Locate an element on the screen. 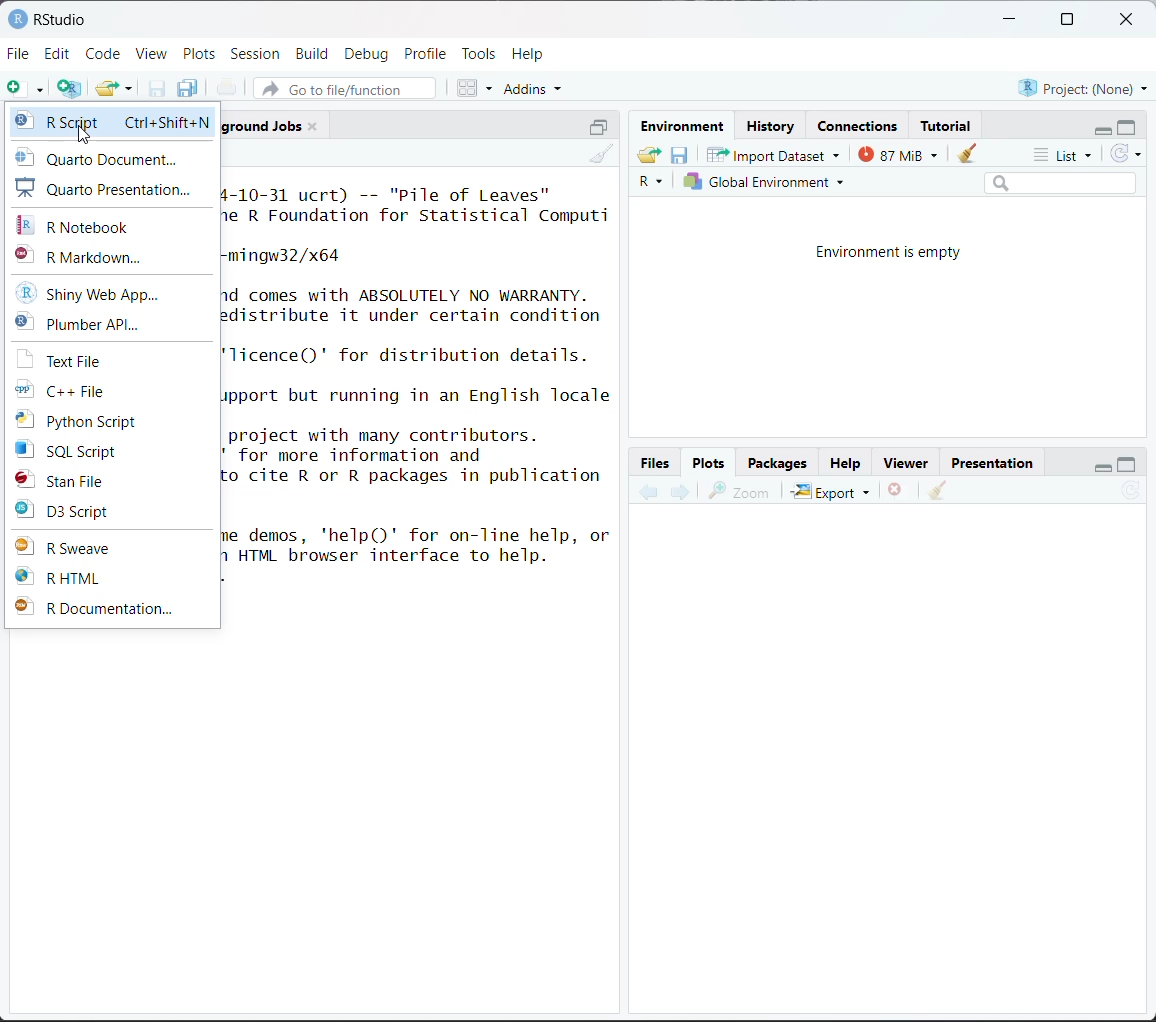 This screenshot has height=1022, width=1156. Plots is located at coordinates (200, 53).